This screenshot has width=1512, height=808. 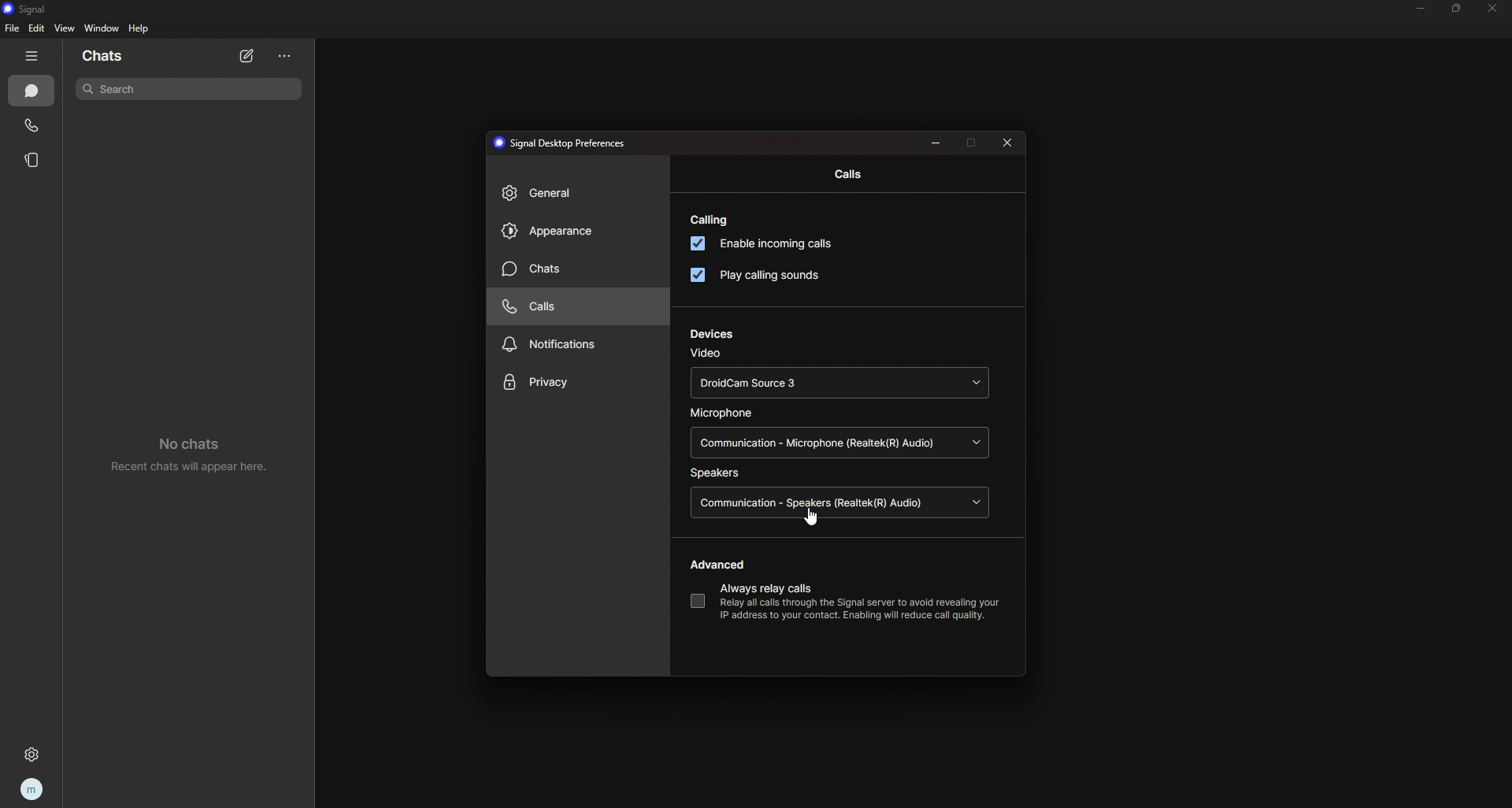 What do you see at coordinates (577, 195) in the screenshot?
I see `general` at bounding box center [577, 195].